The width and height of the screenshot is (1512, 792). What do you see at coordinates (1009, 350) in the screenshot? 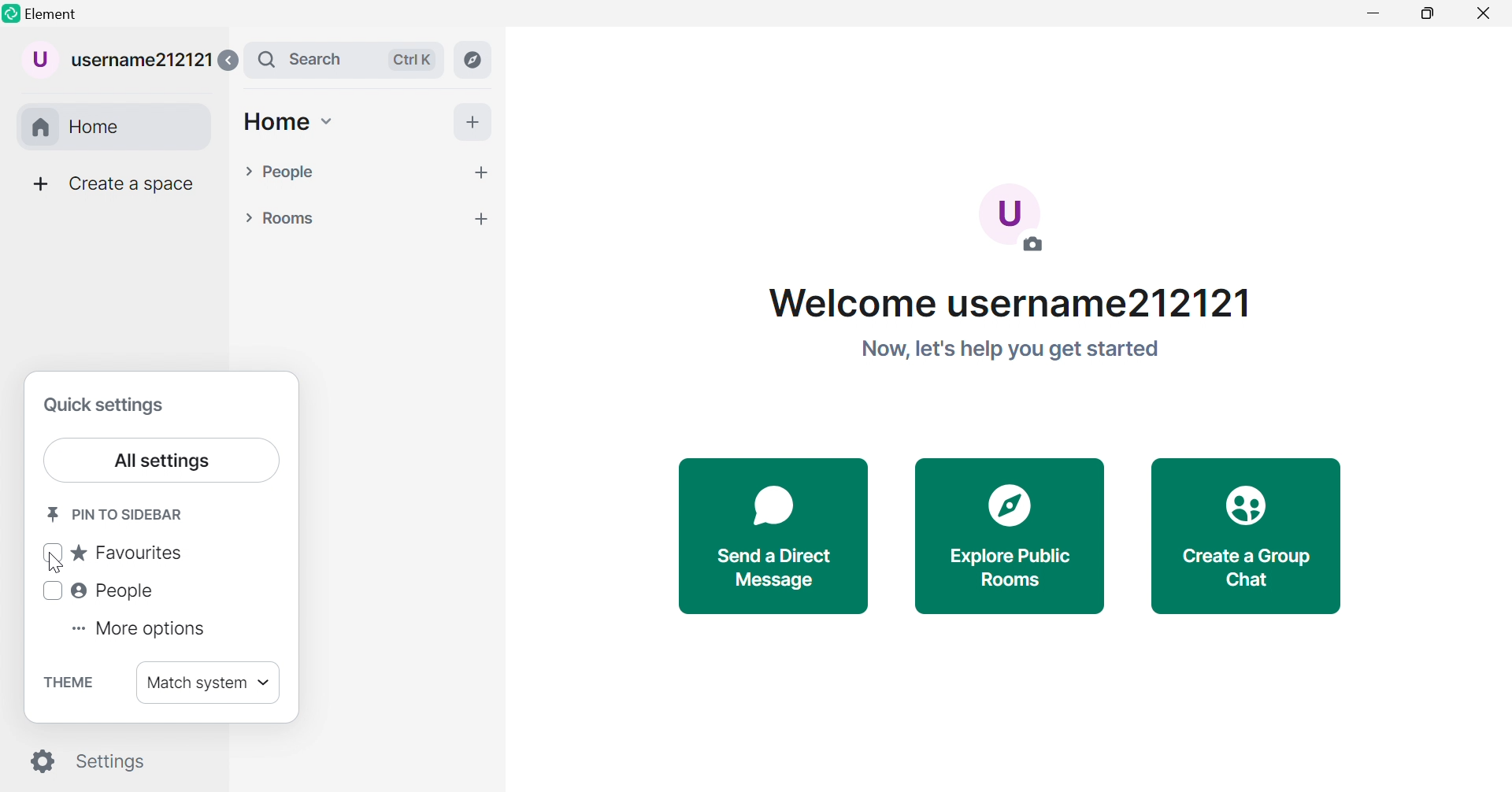
I see `Now, let's help you get started` at bounding box center [1009, 350].